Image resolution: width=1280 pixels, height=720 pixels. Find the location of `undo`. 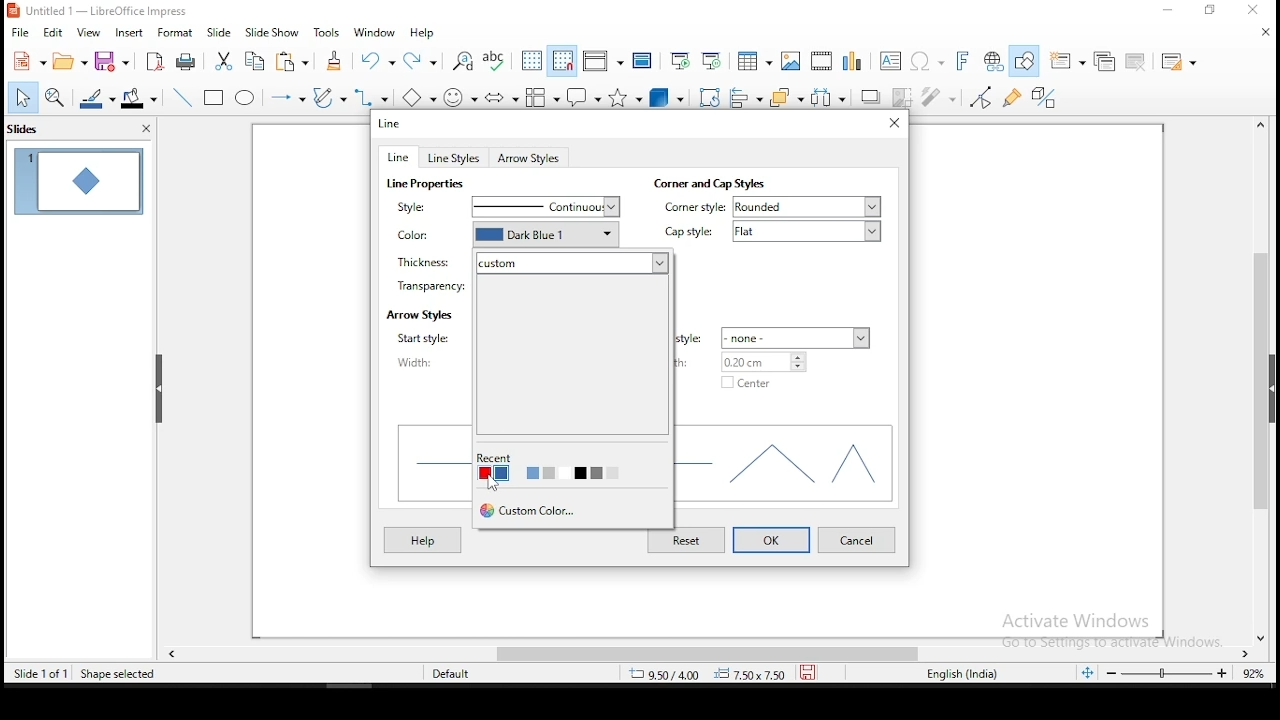

undo is located at coordinates (378, 60).